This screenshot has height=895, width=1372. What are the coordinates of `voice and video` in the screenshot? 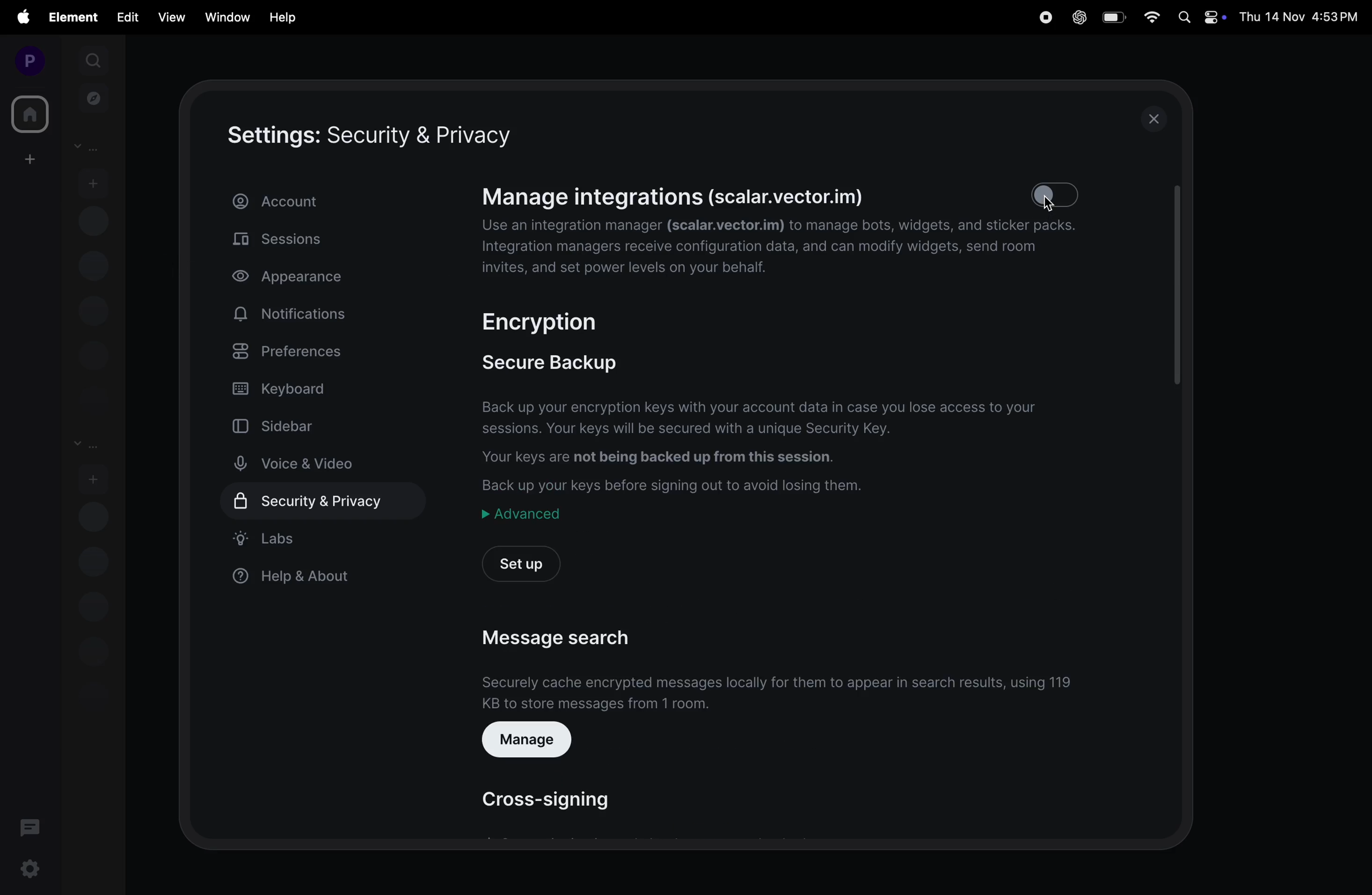 It's located at (309, 465).